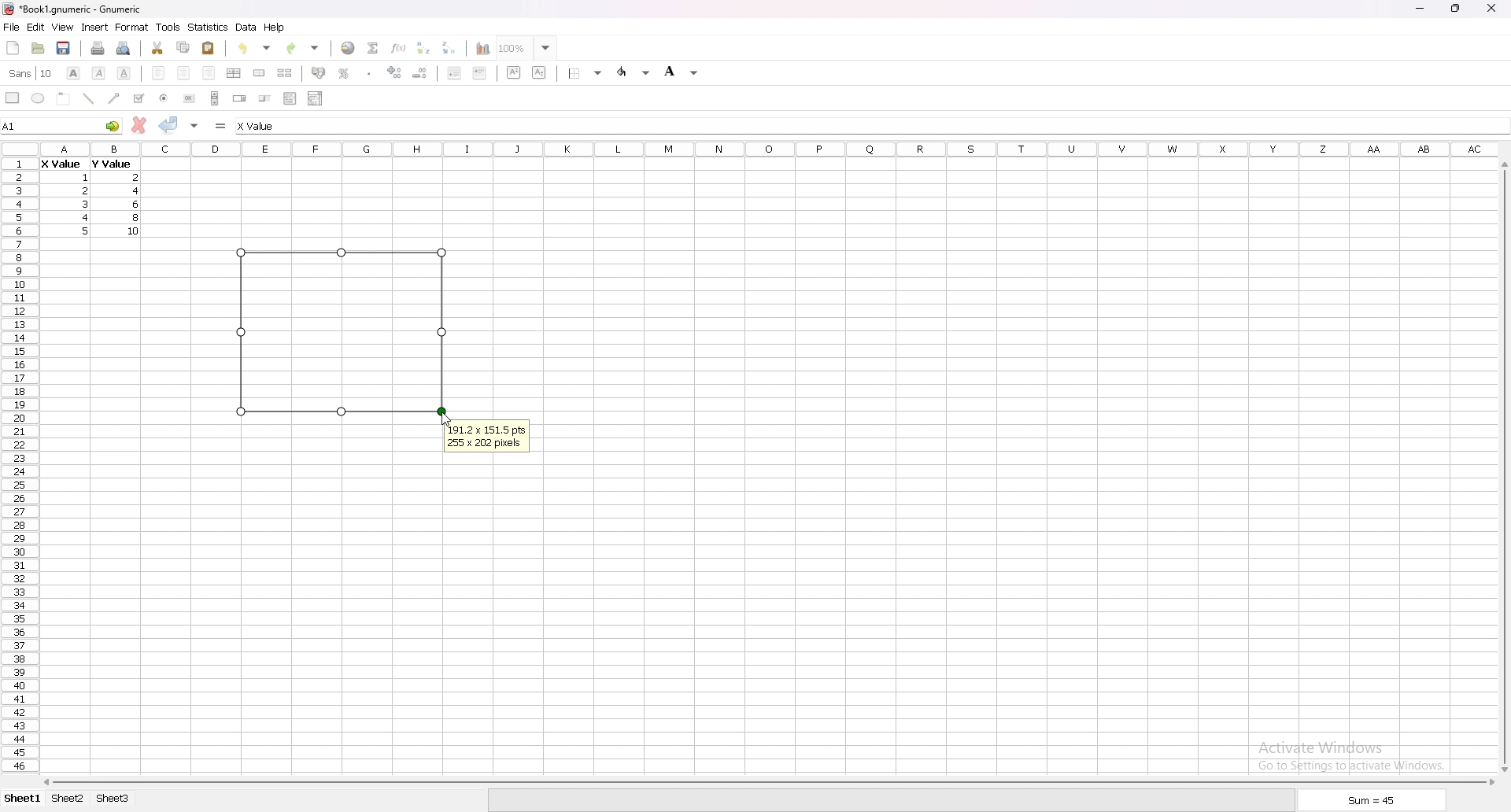 The height and width of the screenshot is (812, 1511). Describe the element at coordinates (72, 9) in the screenshot. I see `file name` at that location.